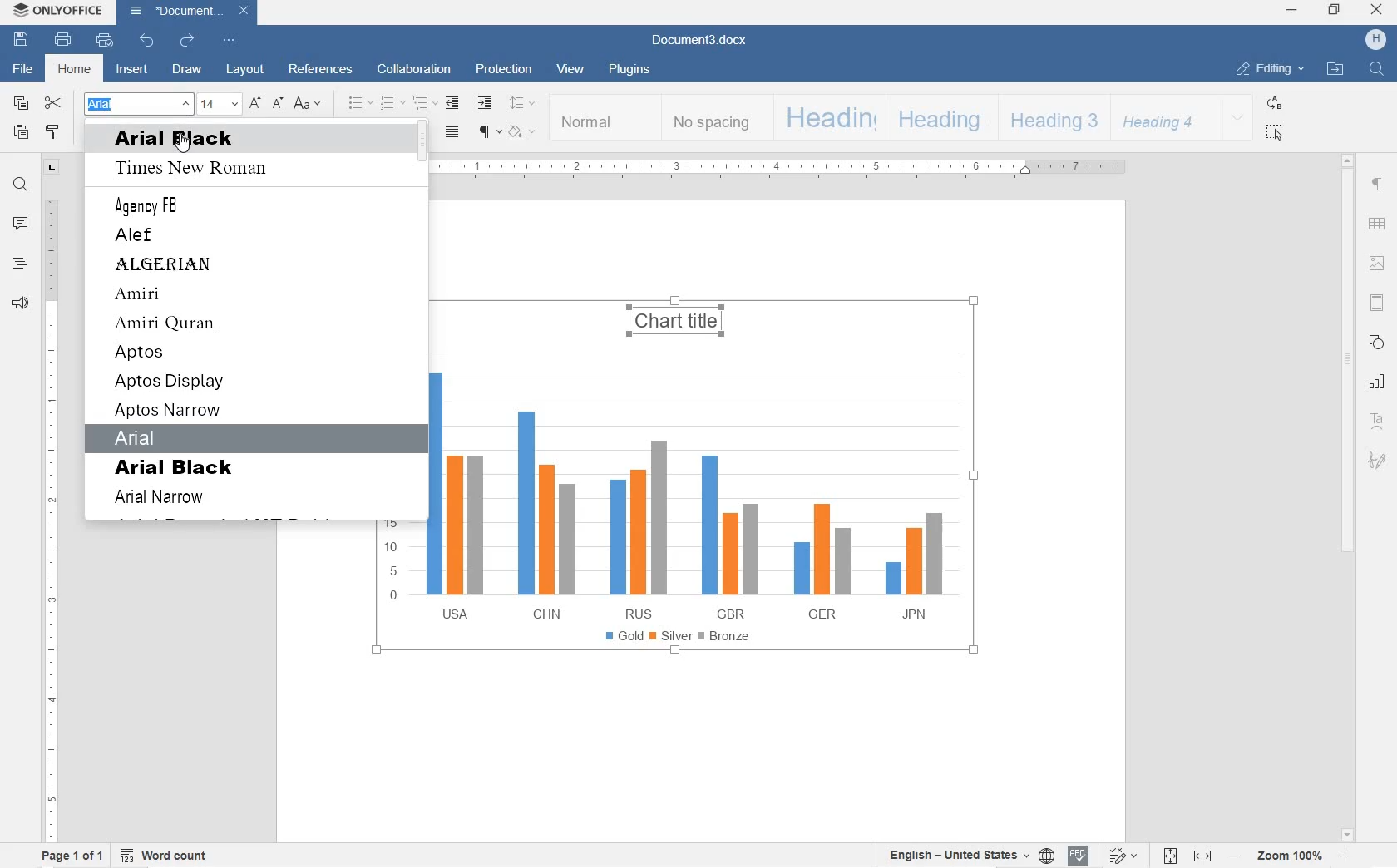 The width and height of the screenshot is (1397, 868). What do you see at coordinates (170, 382) in the screenshot?
I see `APTOS DISPLAY` at bounding box center [170, 382].